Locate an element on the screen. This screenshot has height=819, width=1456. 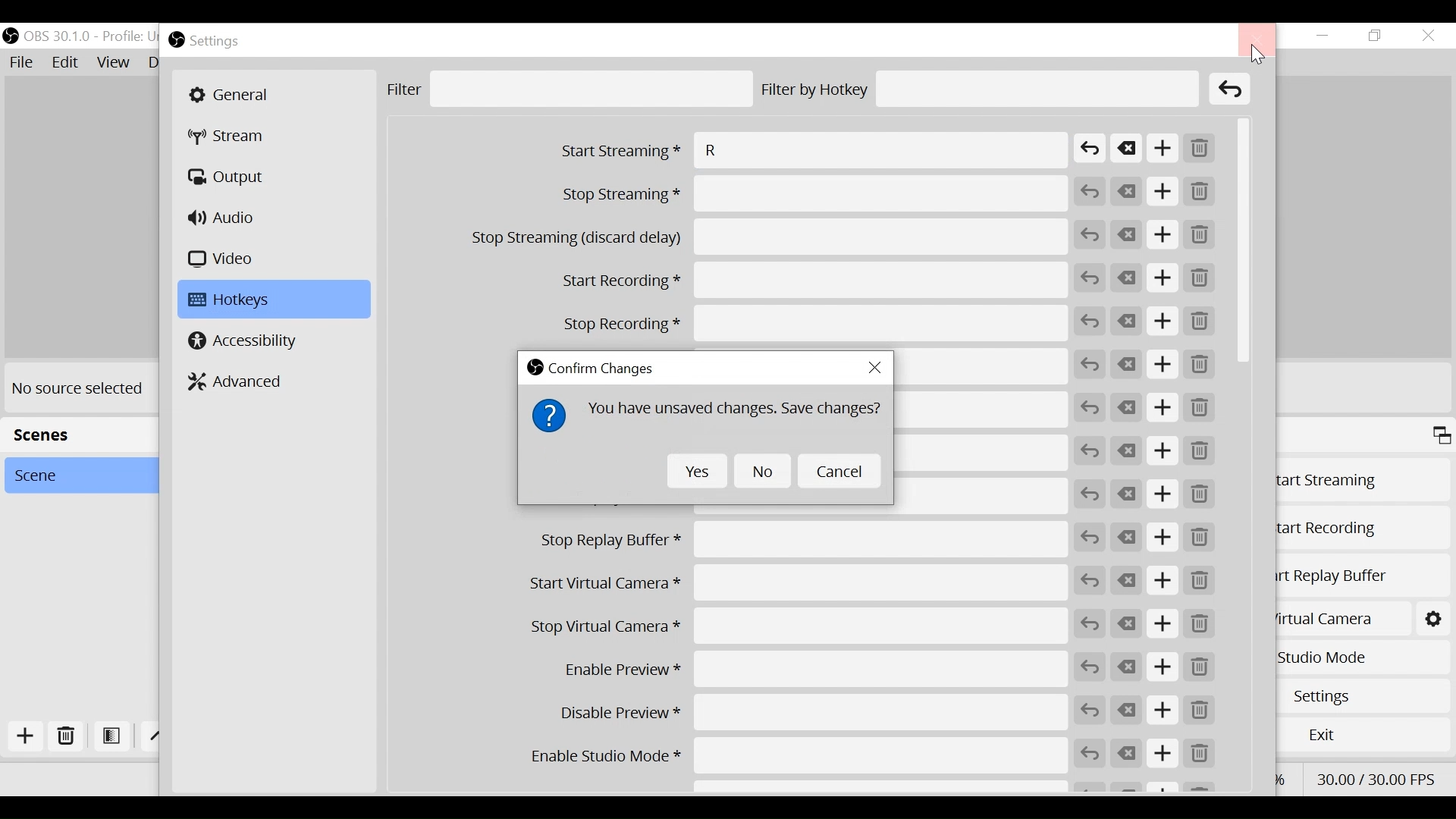
Clear is located at coordinates (1128, 407).